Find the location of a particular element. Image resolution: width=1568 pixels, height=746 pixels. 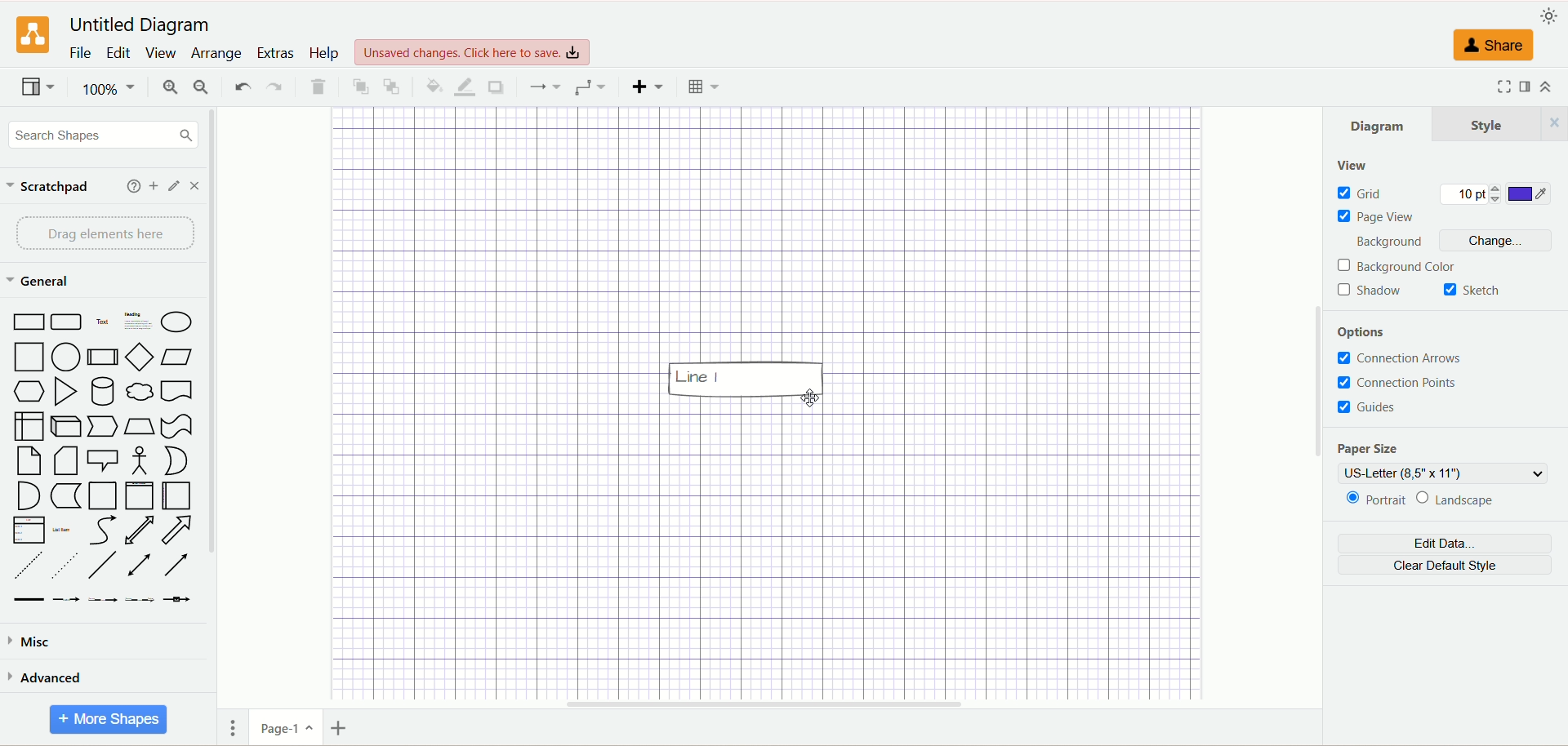

shadow is located at coordinates (1373, 293).